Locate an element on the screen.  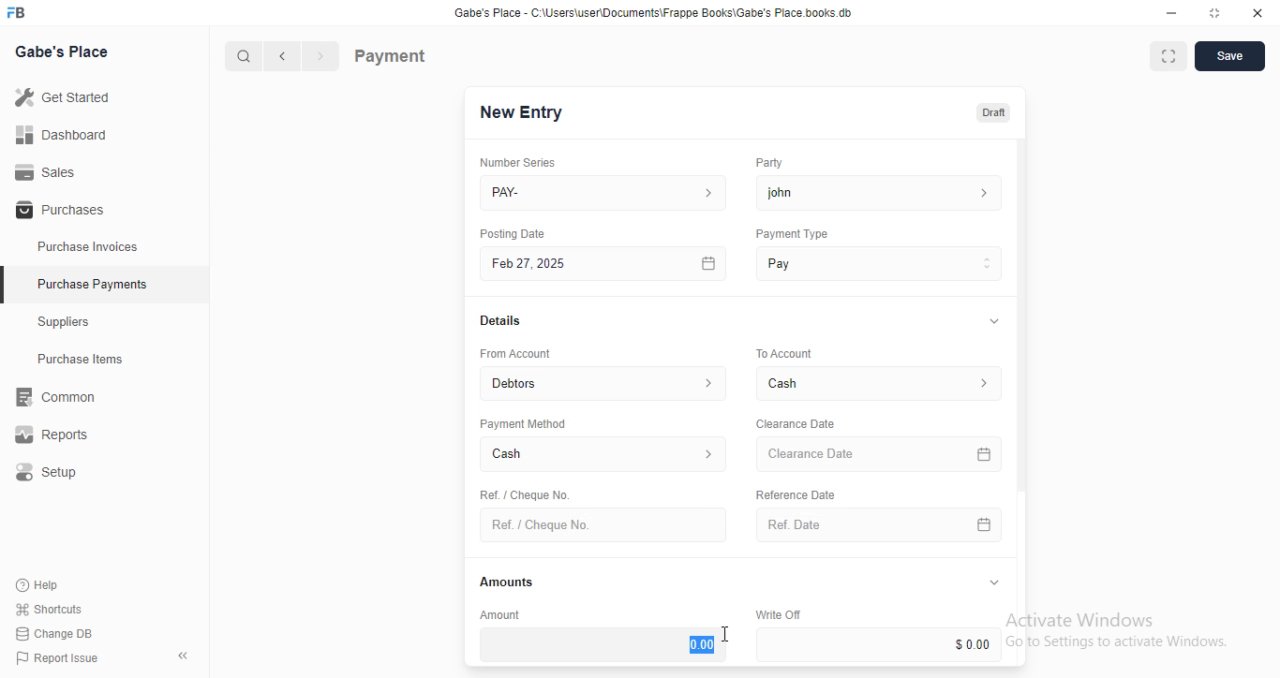
search is located at coordinates (245, 57).